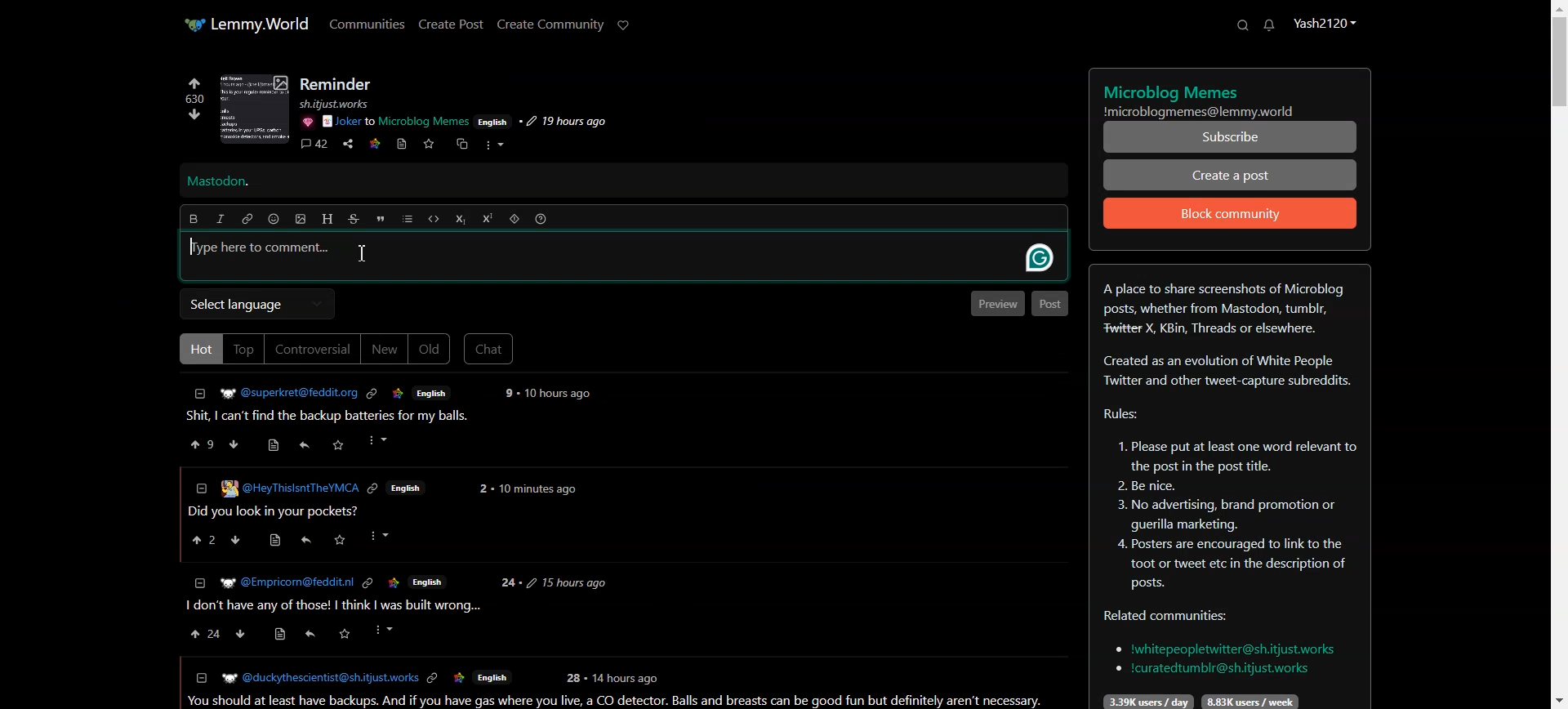  Describe the element at coordinates (428, 144) in the screenshot. I see `Save` at that location.